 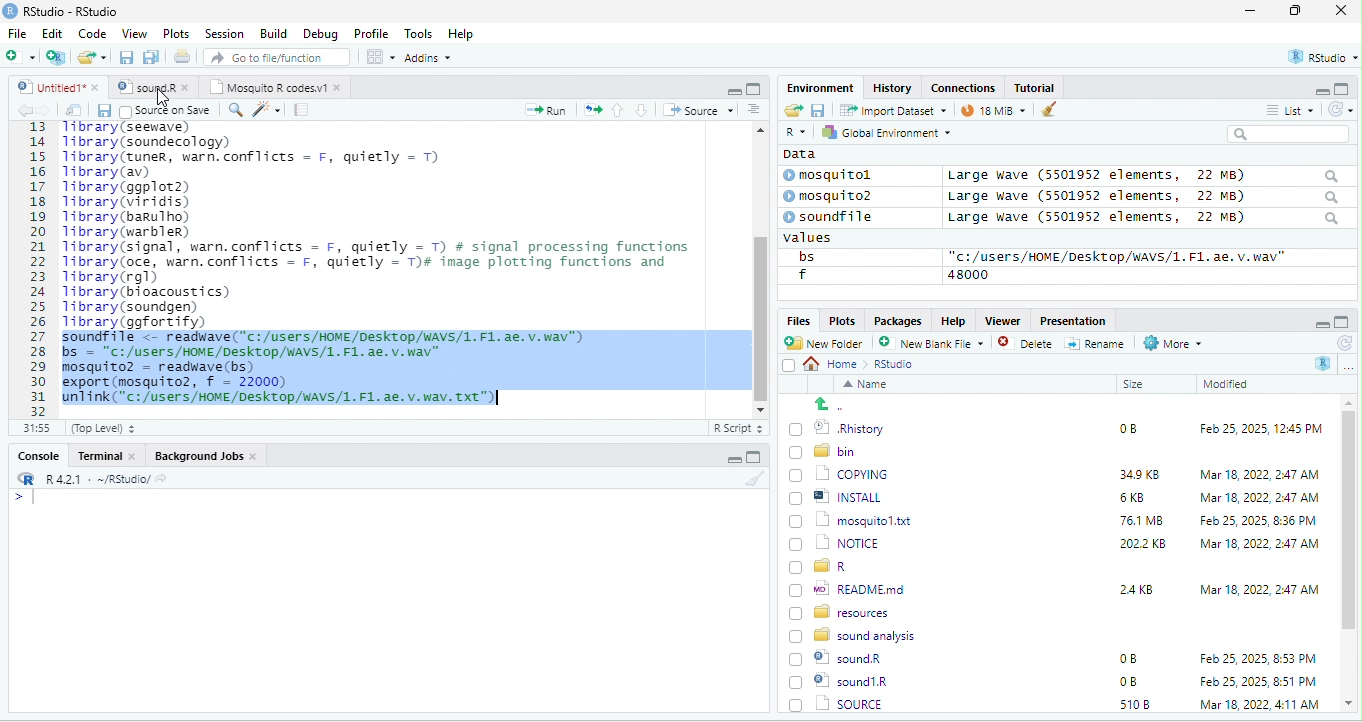 What do you see at coordinates (1320, 323) in the screenshot?
I see `minimize` at bounding box center [1320, 323].